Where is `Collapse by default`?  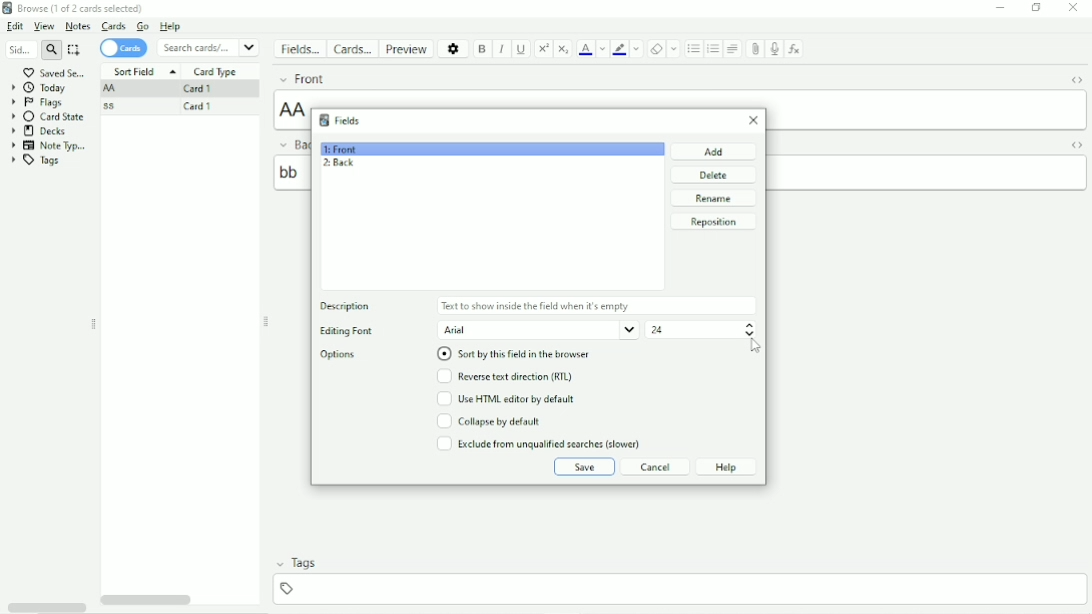 Collapse by default is located at coordinates (489, 421).